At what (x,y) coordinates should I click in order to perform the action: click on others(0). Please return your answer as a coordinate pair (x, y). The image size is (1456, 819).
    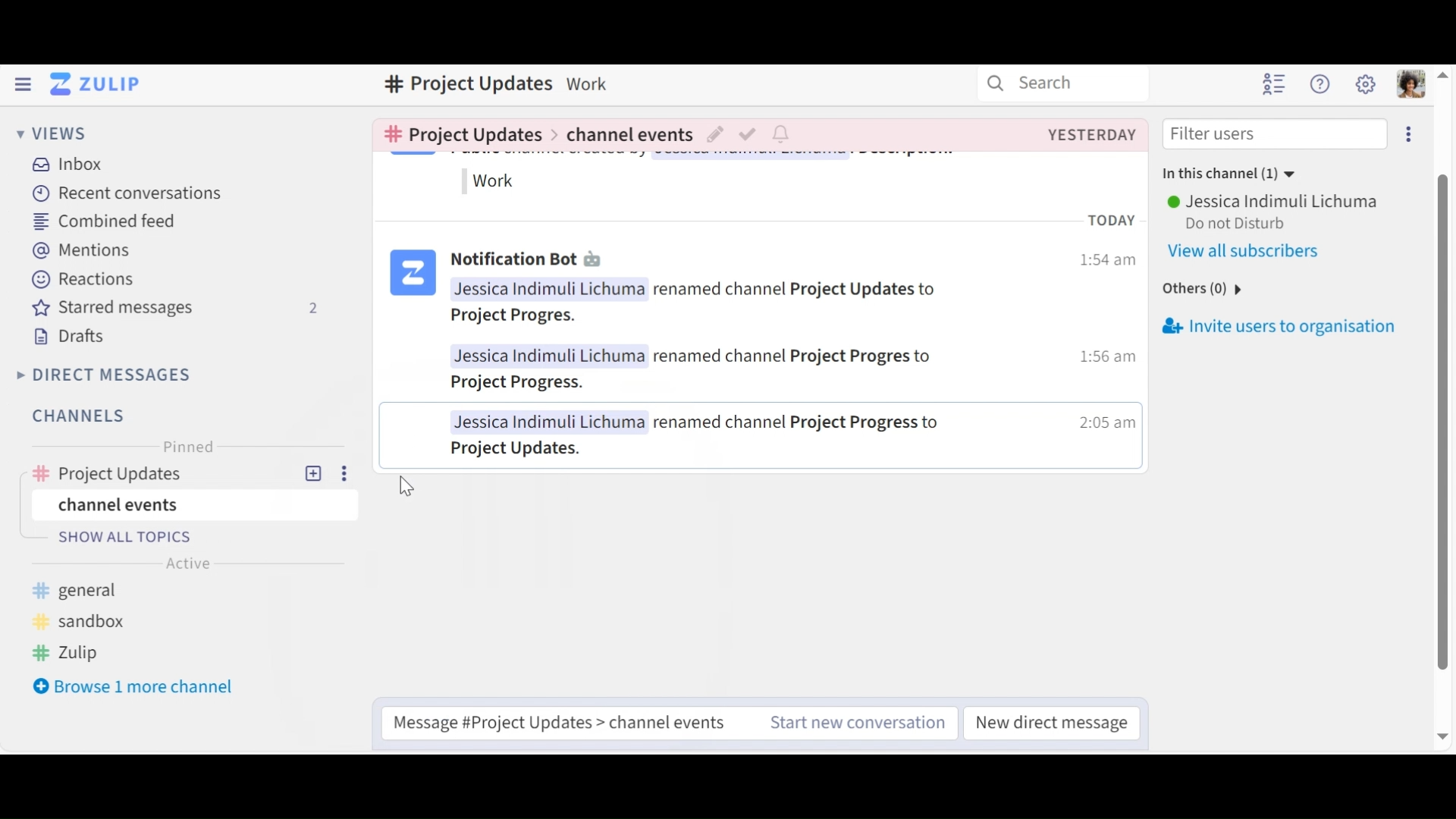
    Looking at the image, I should click on (1197, 290).